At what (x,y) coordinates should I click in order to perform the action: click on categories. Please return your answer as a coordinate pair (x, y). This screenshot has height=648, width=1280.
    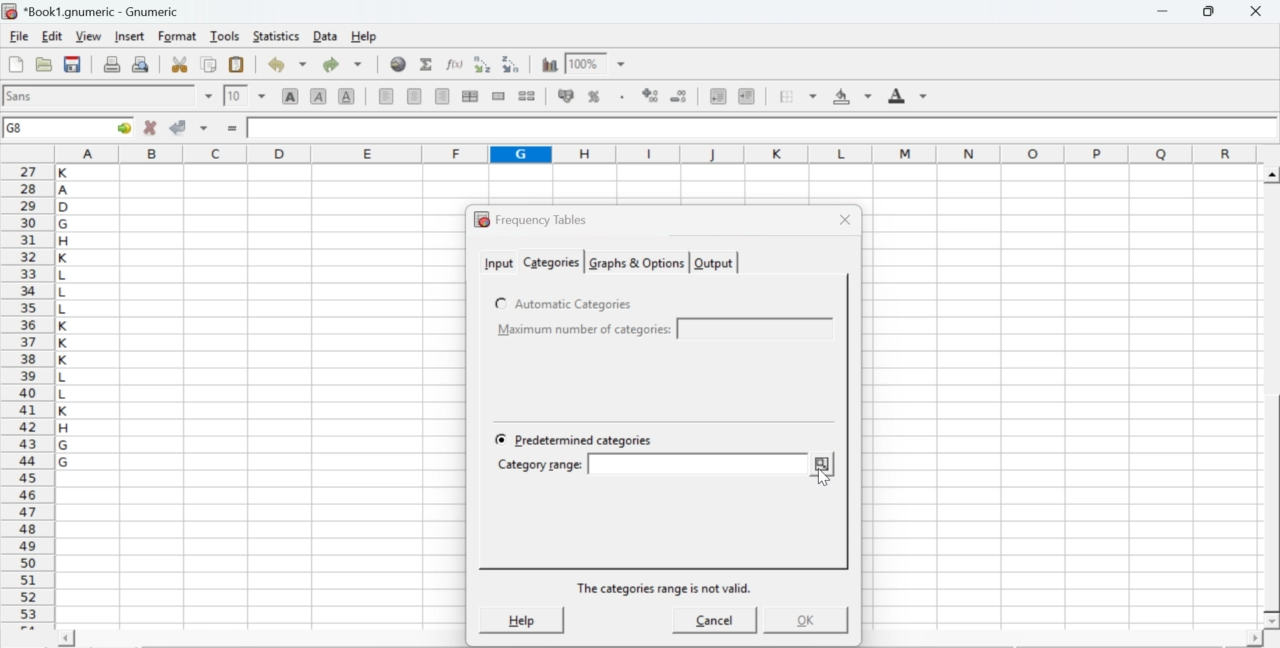
    Looking at the image, I should click on (550, 262).